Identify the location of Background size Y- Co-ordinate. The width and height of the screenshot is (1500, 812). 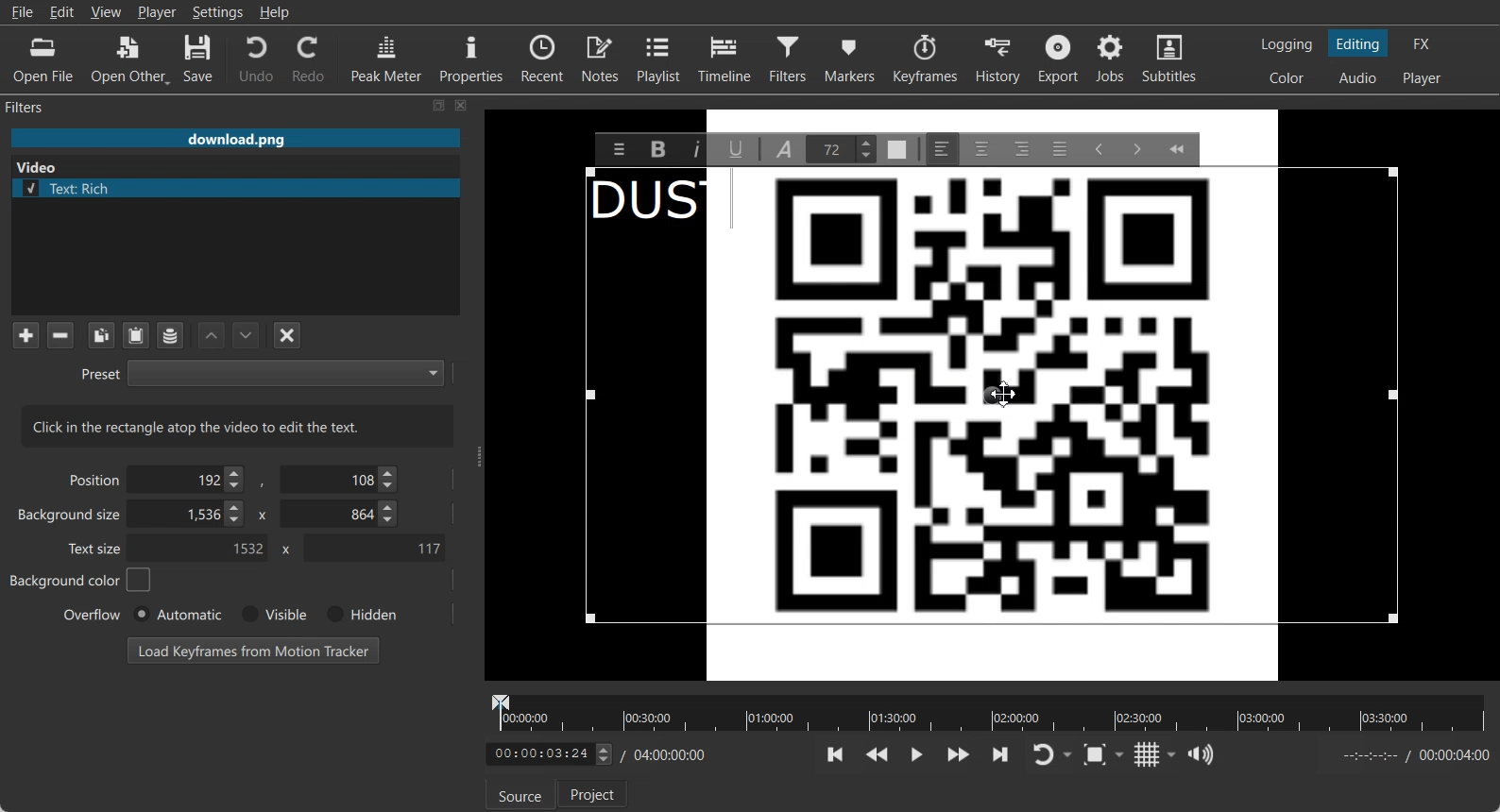
(341, 516).